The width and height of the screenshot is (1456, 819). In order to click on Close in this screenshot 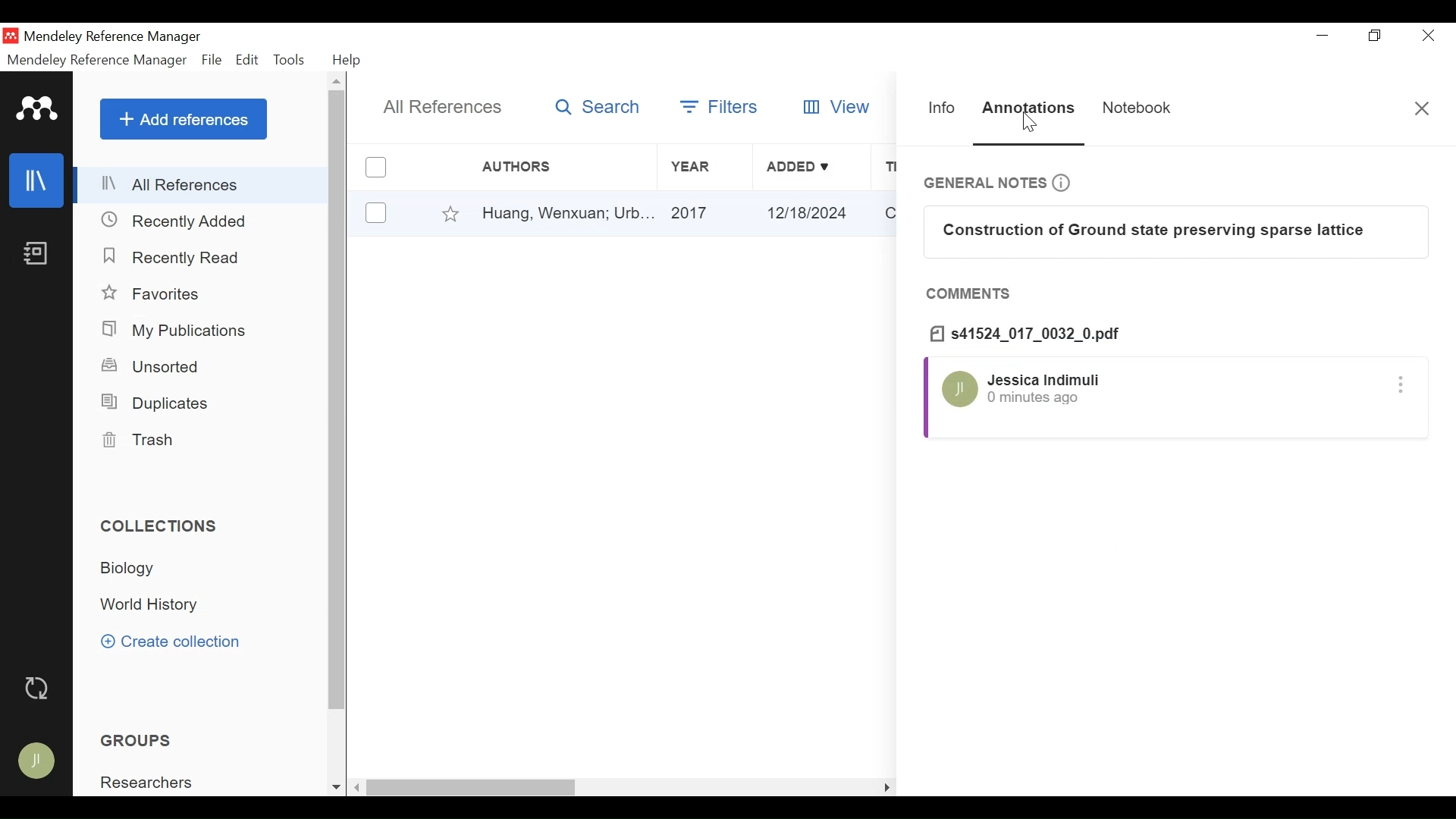, I will do `click(1420, 107)`.